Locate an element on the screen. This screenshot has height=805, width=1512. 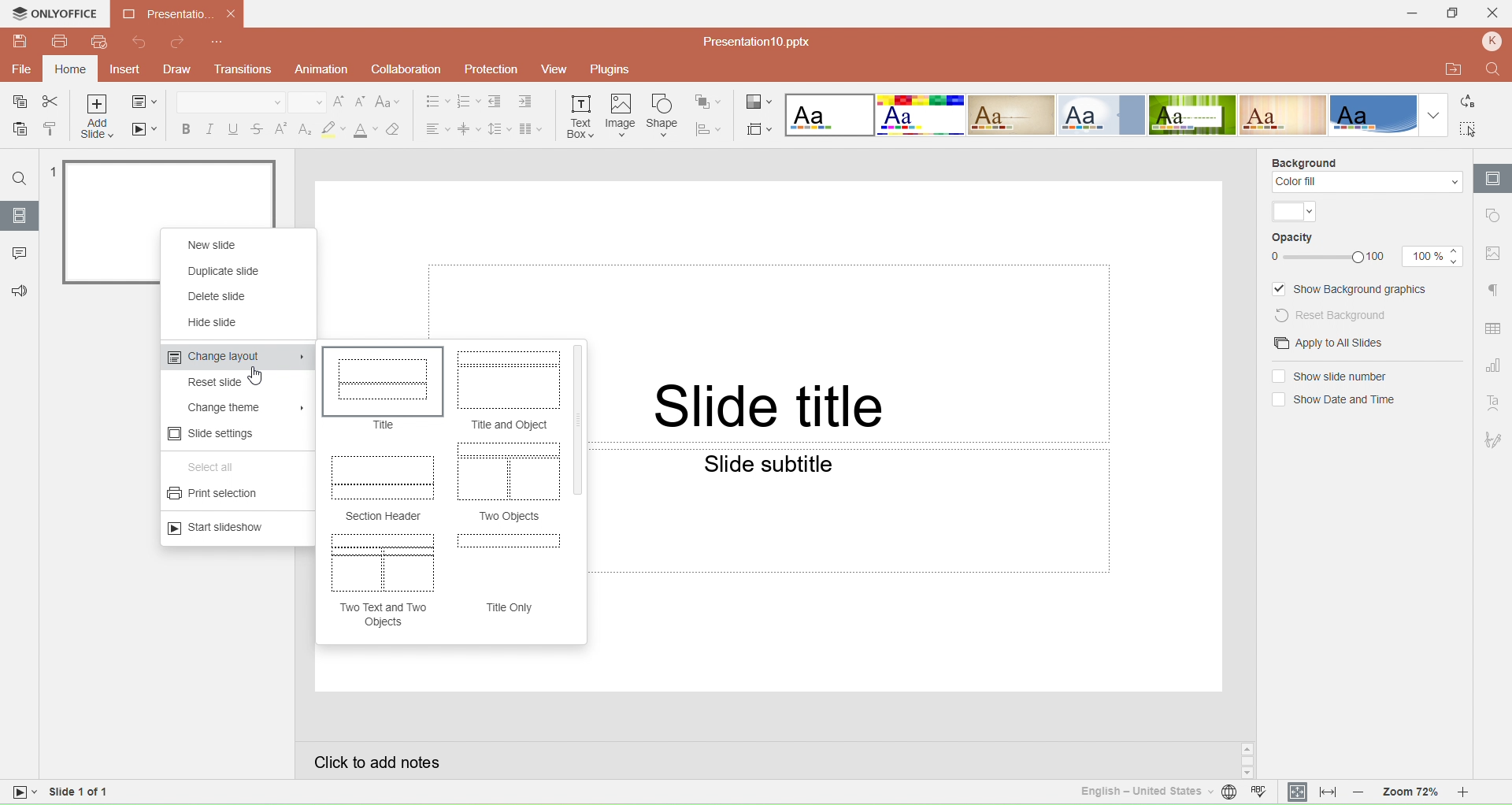
Highlight is located at coordinates (332, 129).